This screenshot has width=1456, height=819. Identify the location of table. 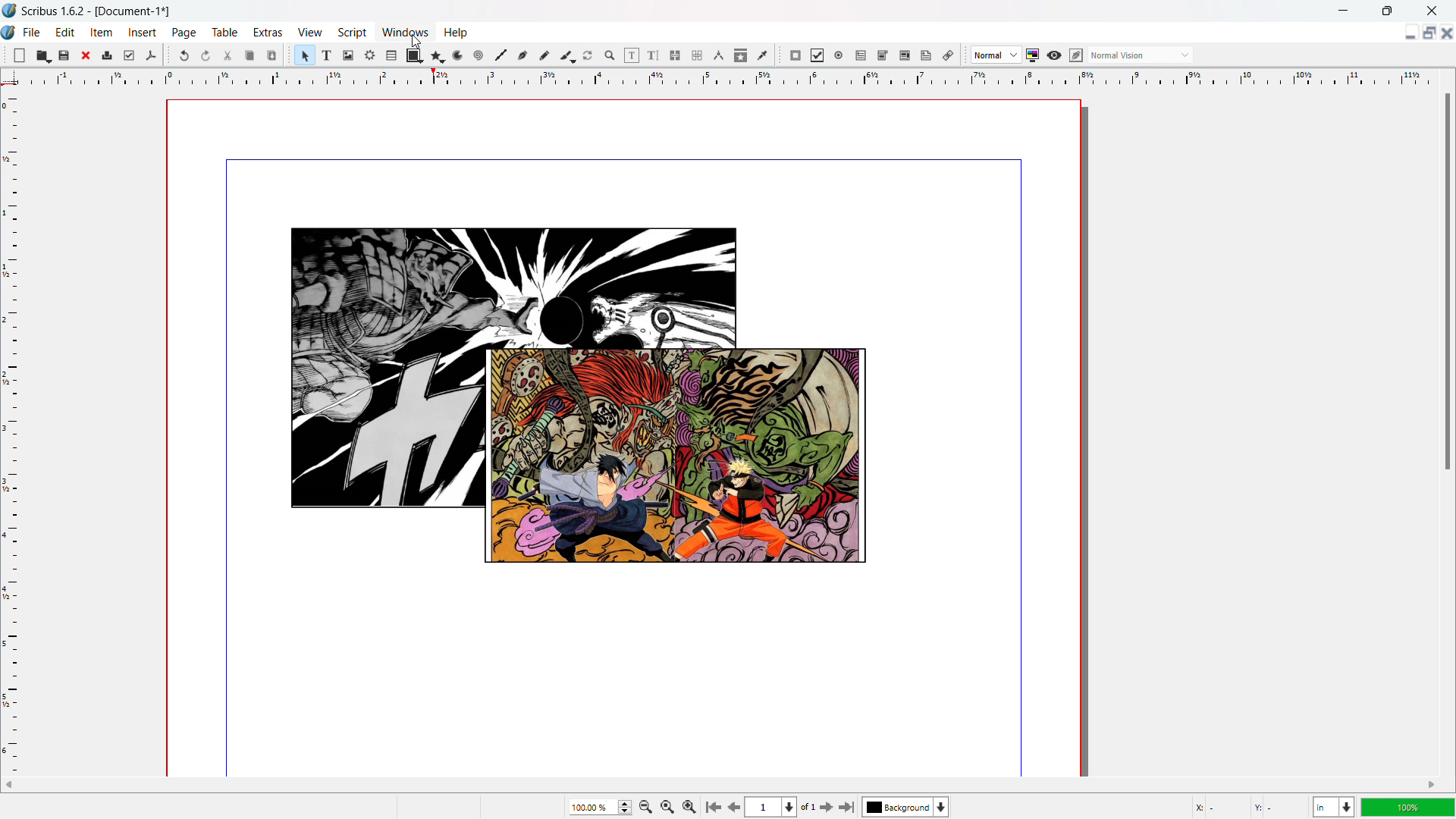
(224, 32).